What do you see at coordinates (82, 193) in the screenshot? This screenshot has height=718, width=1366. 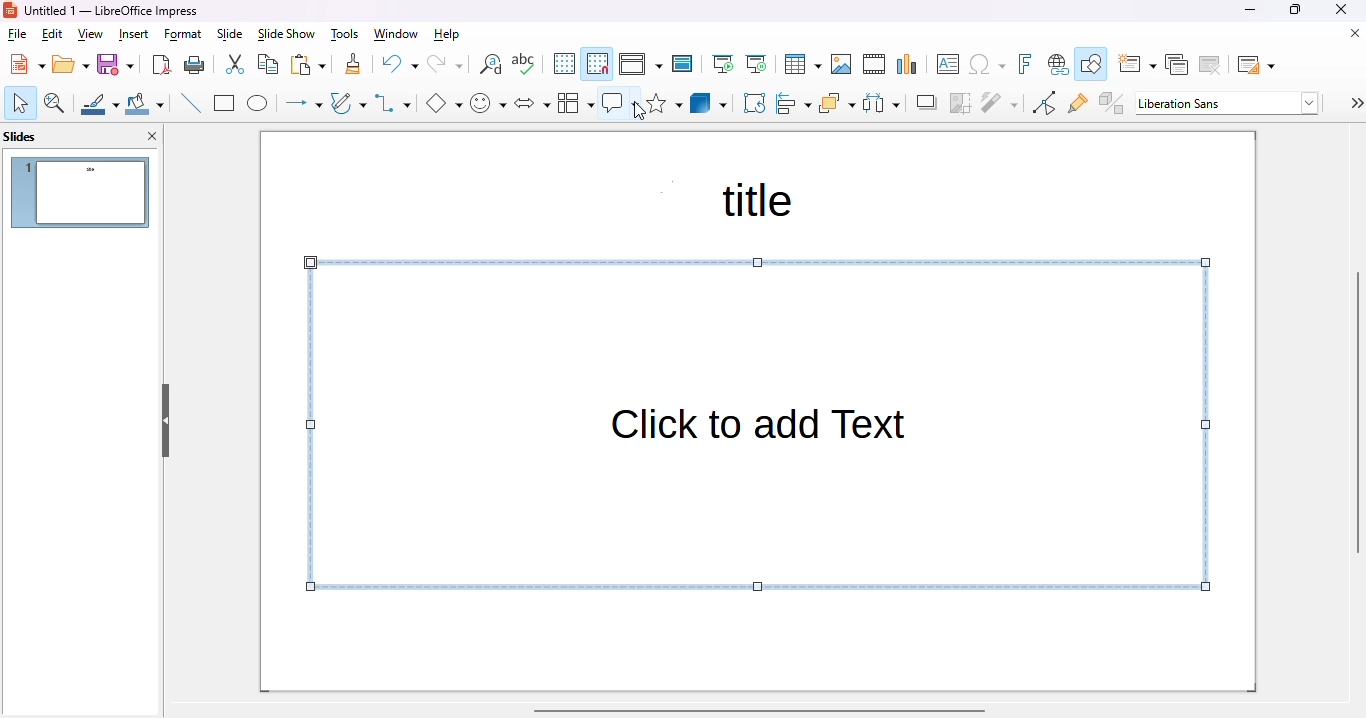 I see `slide 1` at bounding box center [82, 193].